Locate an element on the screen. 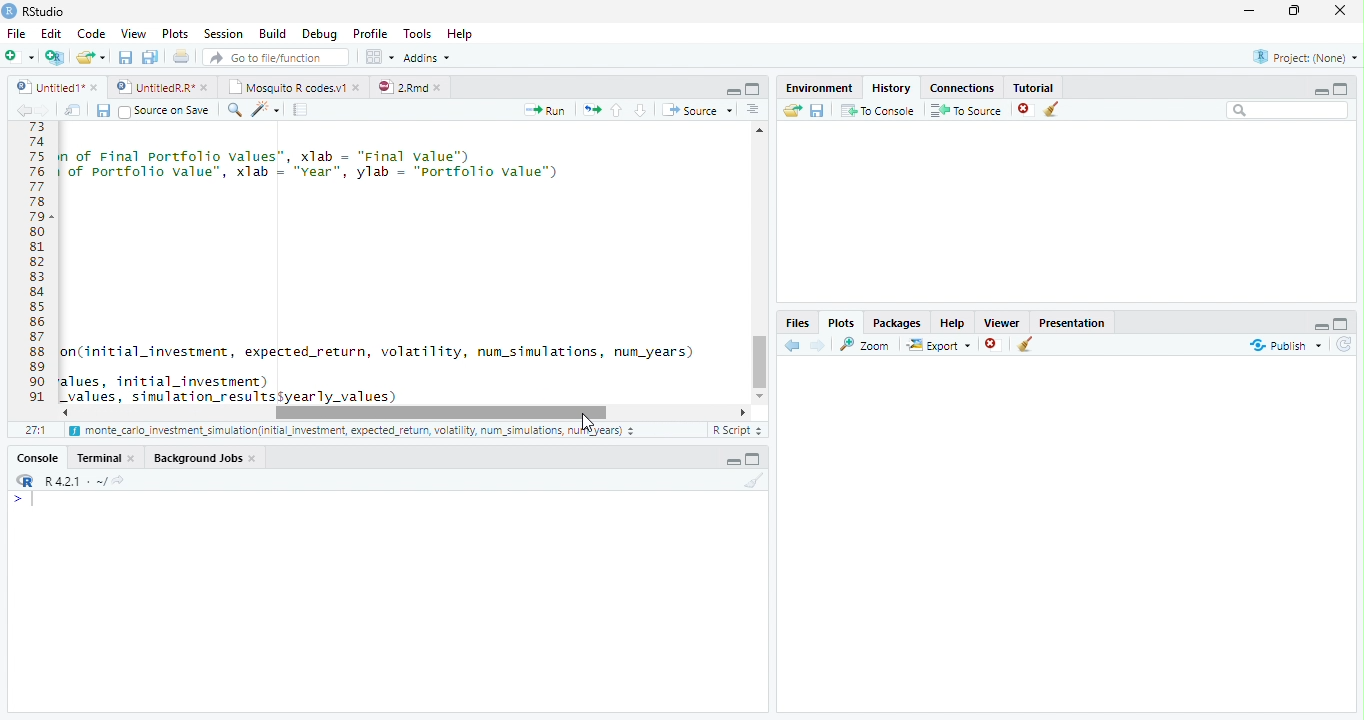 This screenshot has width=1364, height=720. Packages is located at coordinates (896, 321).